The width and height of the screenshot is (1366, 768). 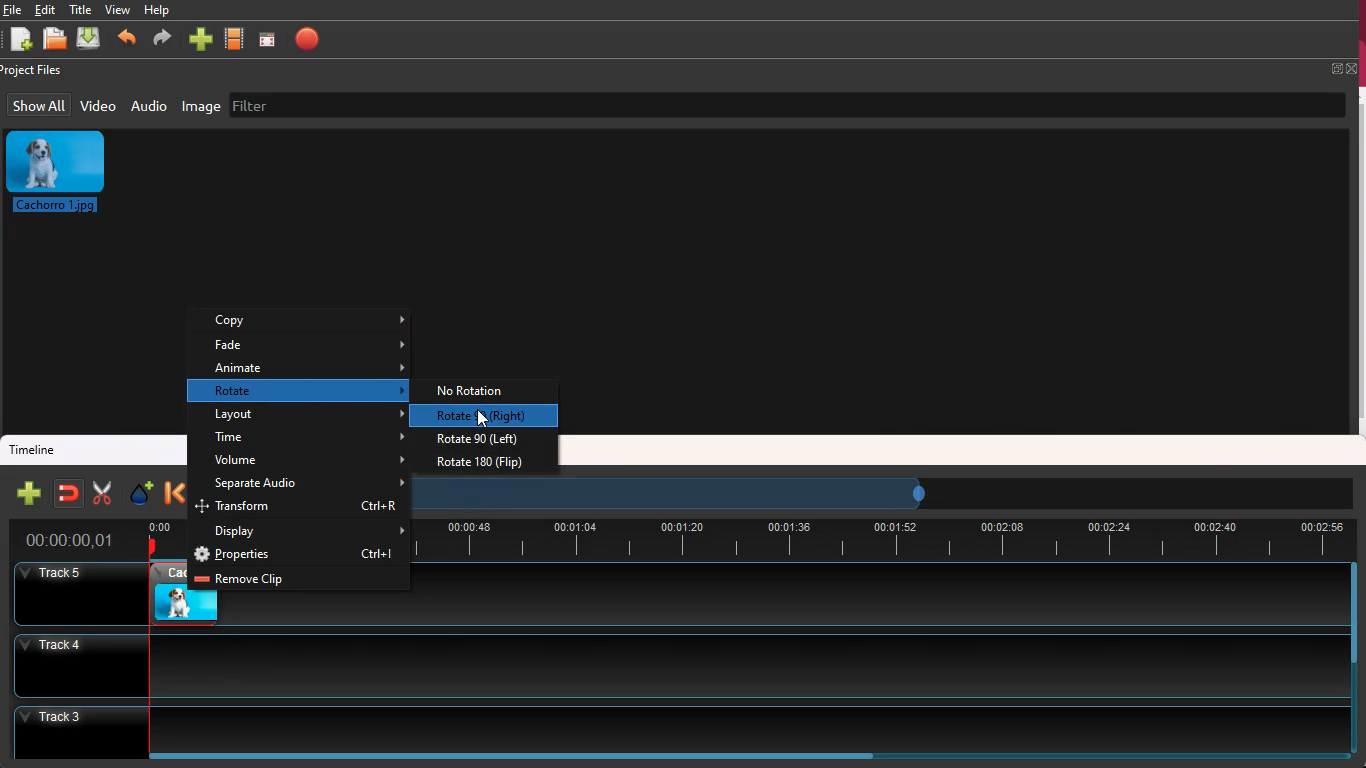 I want to click on transform, so click(x=298, y=509).